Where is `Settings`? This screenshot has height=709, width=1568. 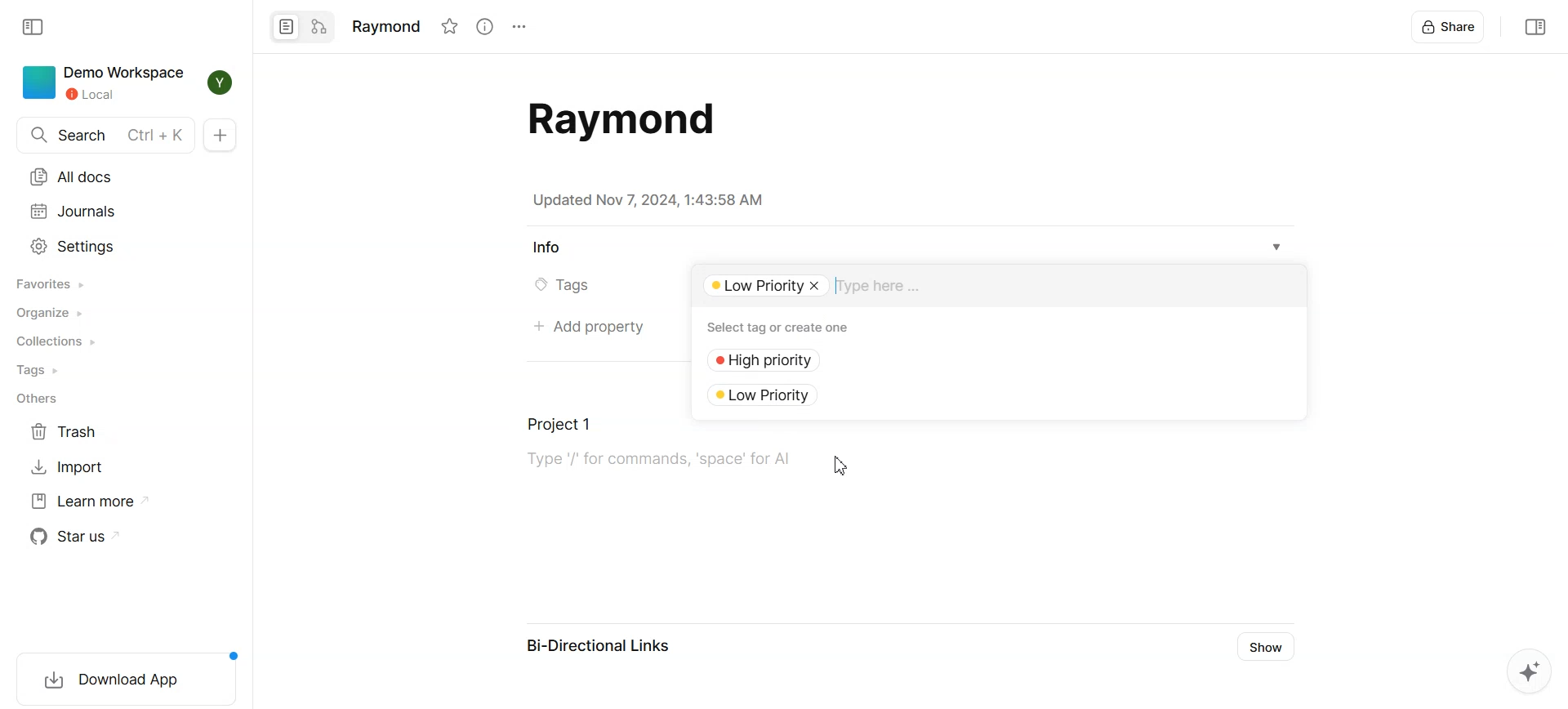
Settings is located at coordinates (518, 27).